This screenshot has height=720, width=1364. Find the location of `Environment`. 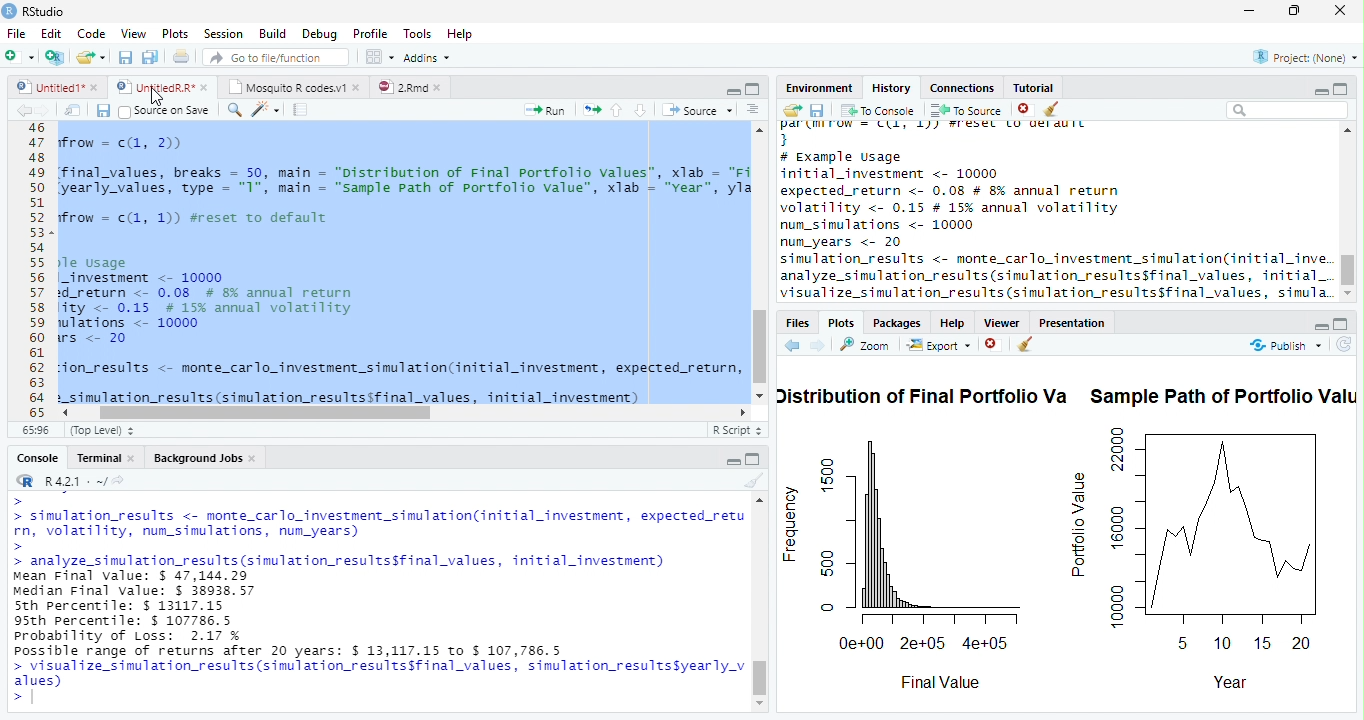

Environment is located at coordinates (819, 85).